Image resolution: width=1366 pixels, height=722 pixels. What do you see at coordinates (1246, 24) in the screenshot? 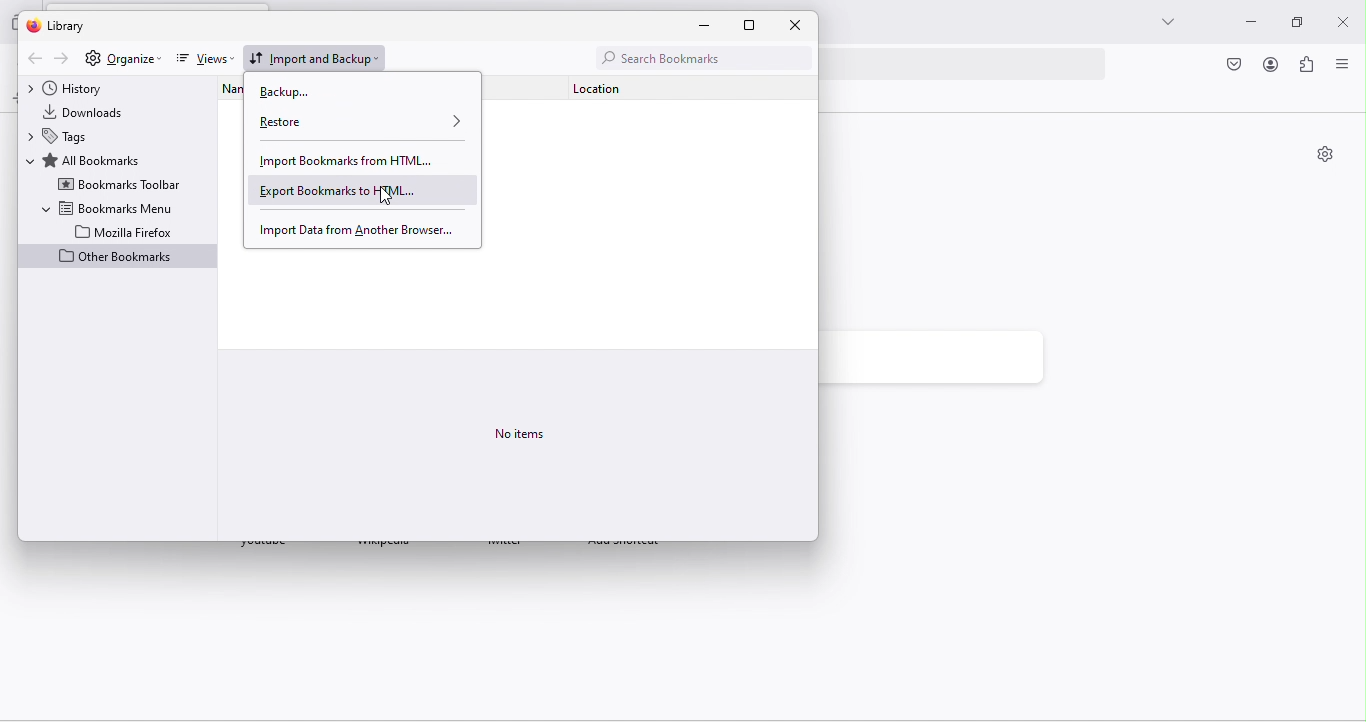
I see `minimize` at bounding box center [1246, 24].